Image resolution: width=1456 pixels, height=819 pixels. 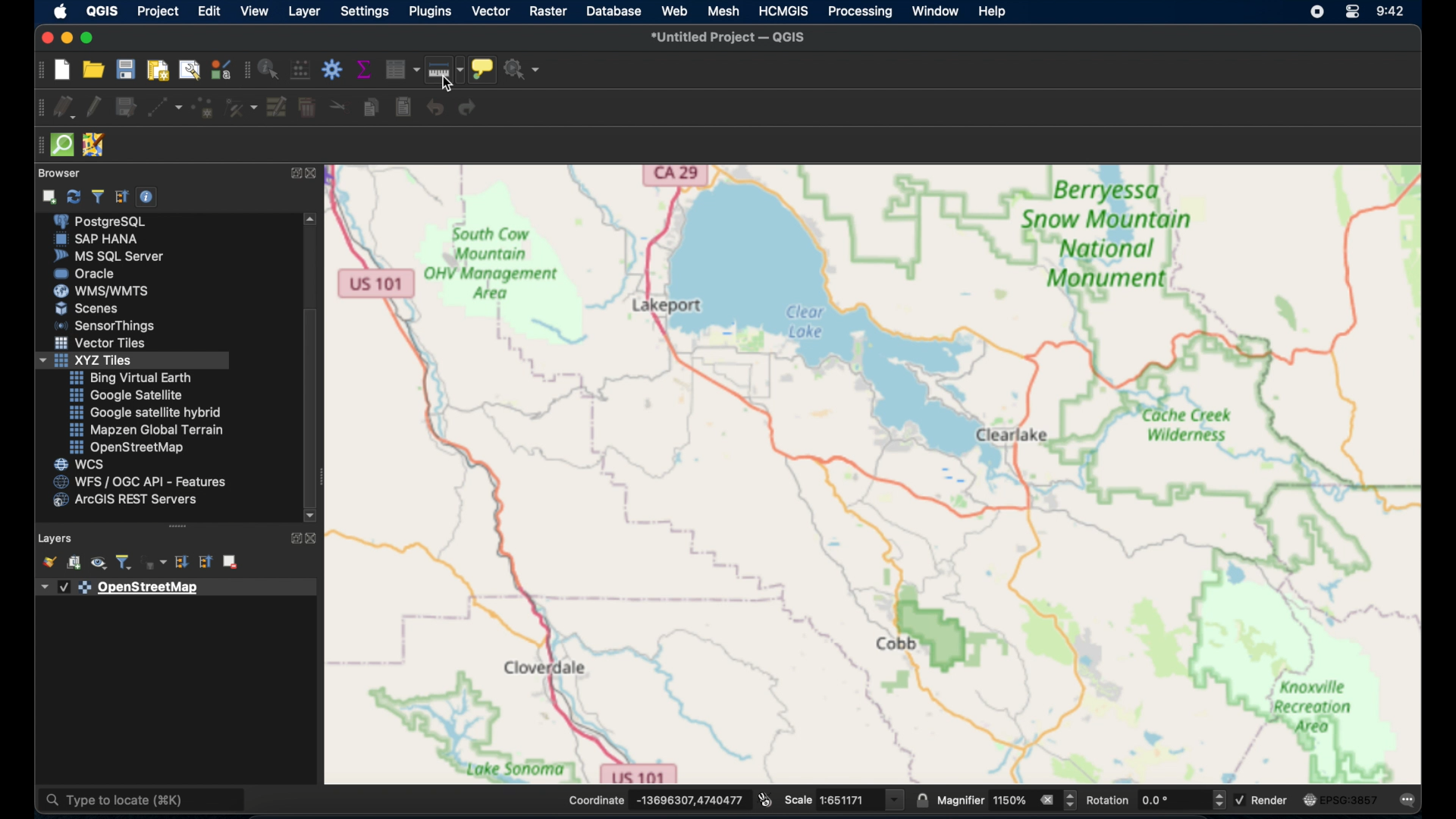 I want to click on add selected, so click(x=51, y=196).